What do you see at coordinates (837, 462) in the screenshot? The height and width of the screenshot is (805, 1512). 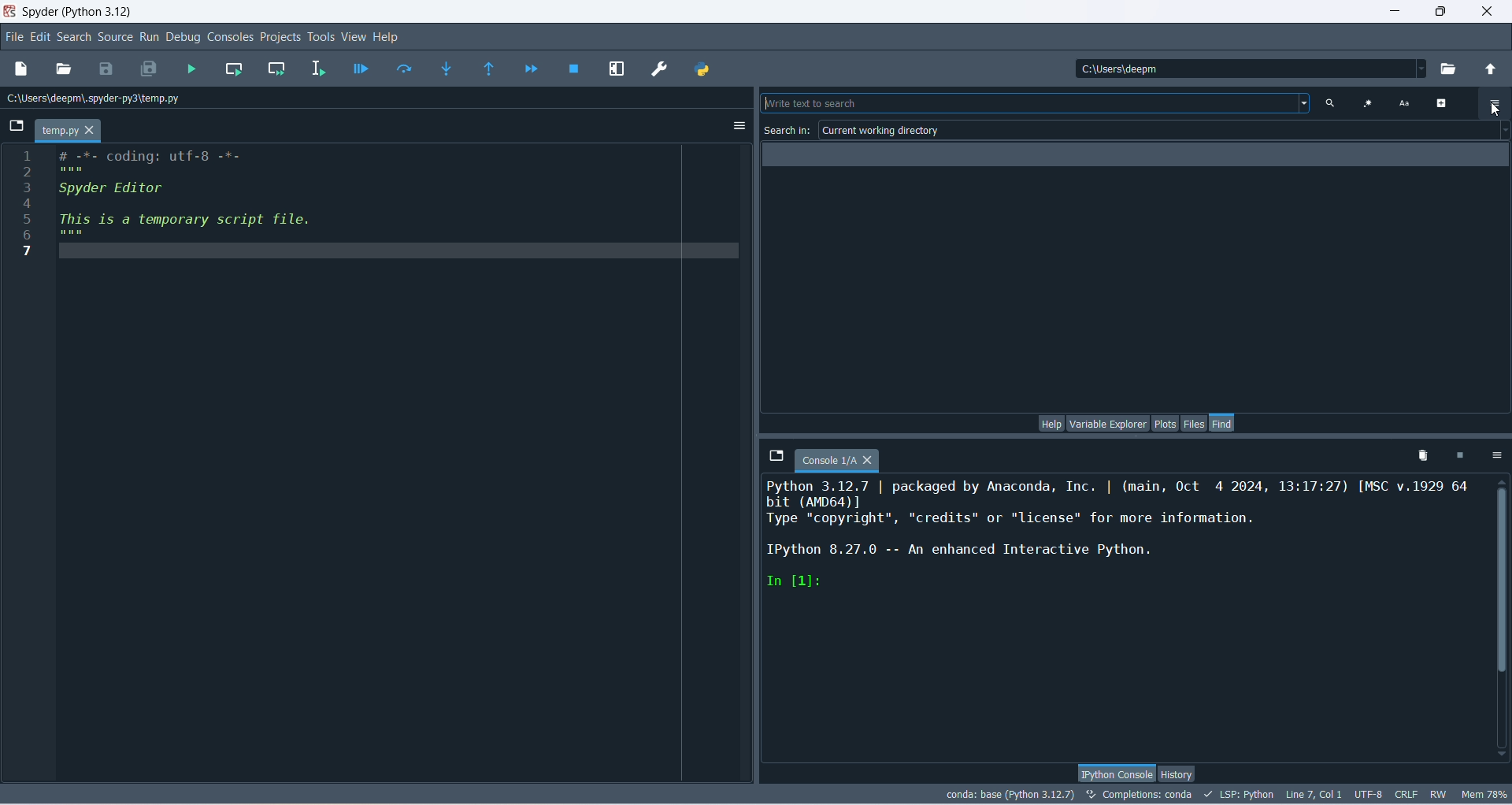 I see `console` at bounding box center [837, 462].